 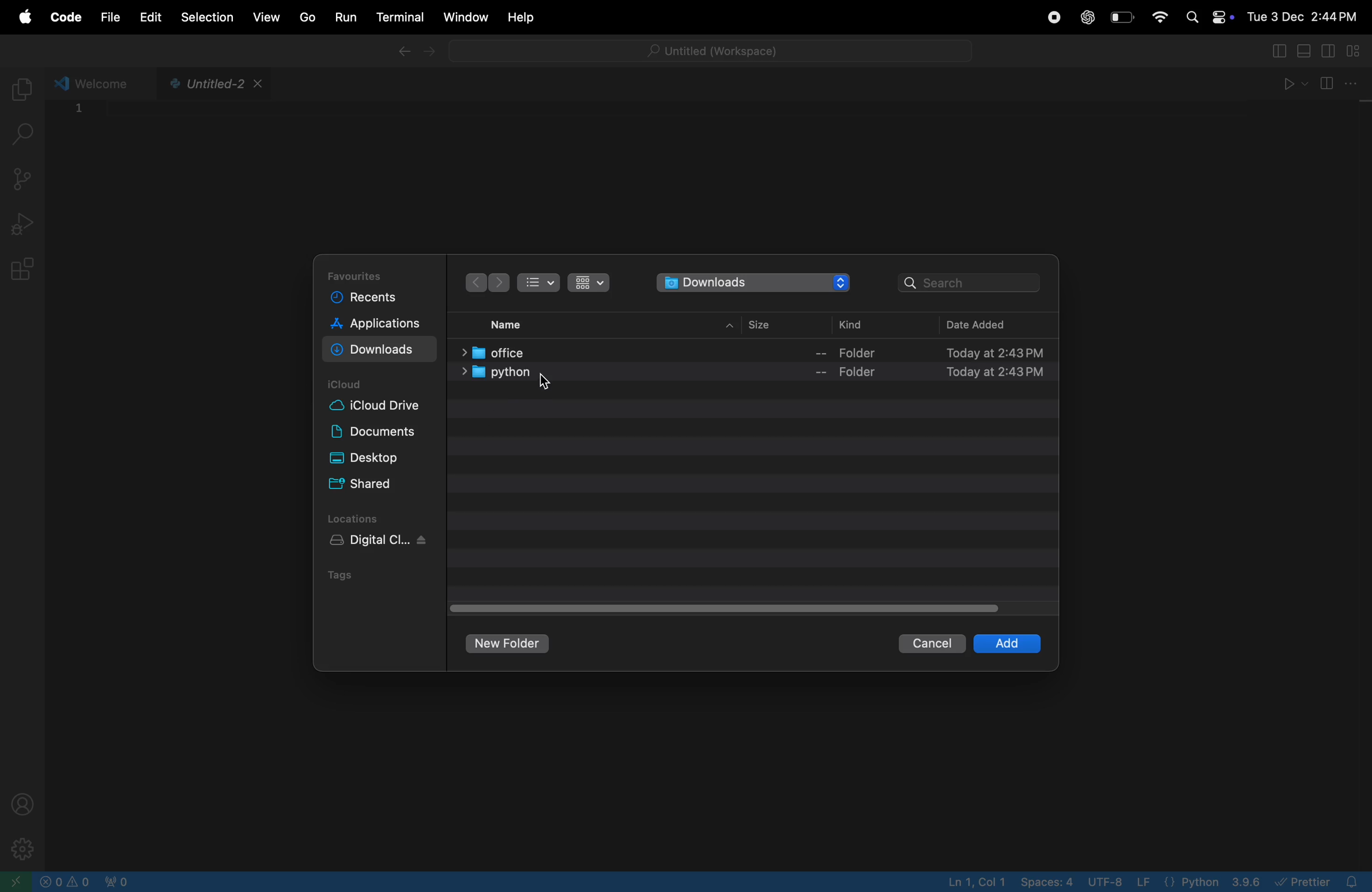 I want to click on prettier extensions, so click(x=1321, y=881).